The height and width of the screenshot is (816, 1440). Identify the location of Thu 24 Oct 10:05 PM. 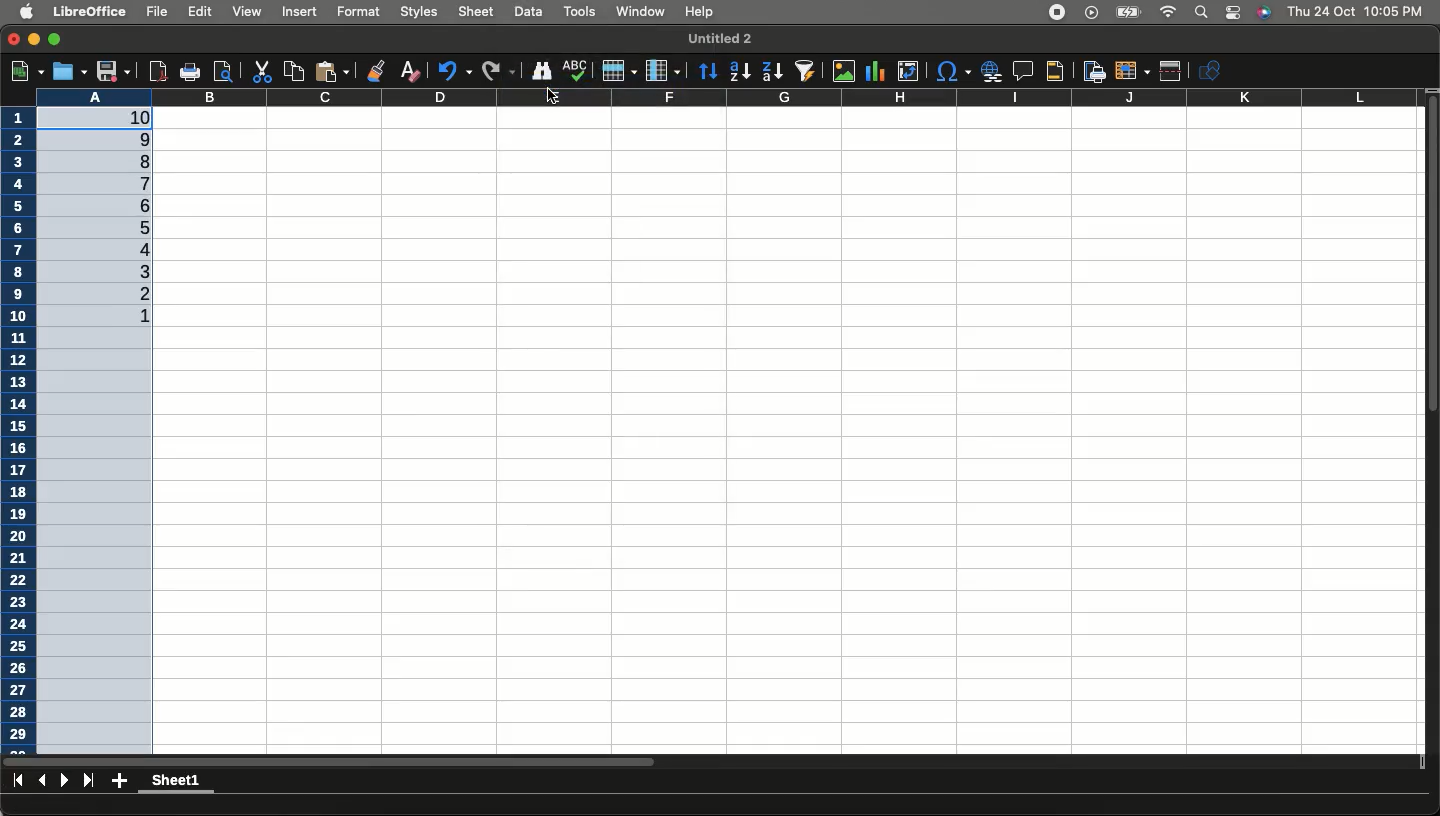
(1357, 11).